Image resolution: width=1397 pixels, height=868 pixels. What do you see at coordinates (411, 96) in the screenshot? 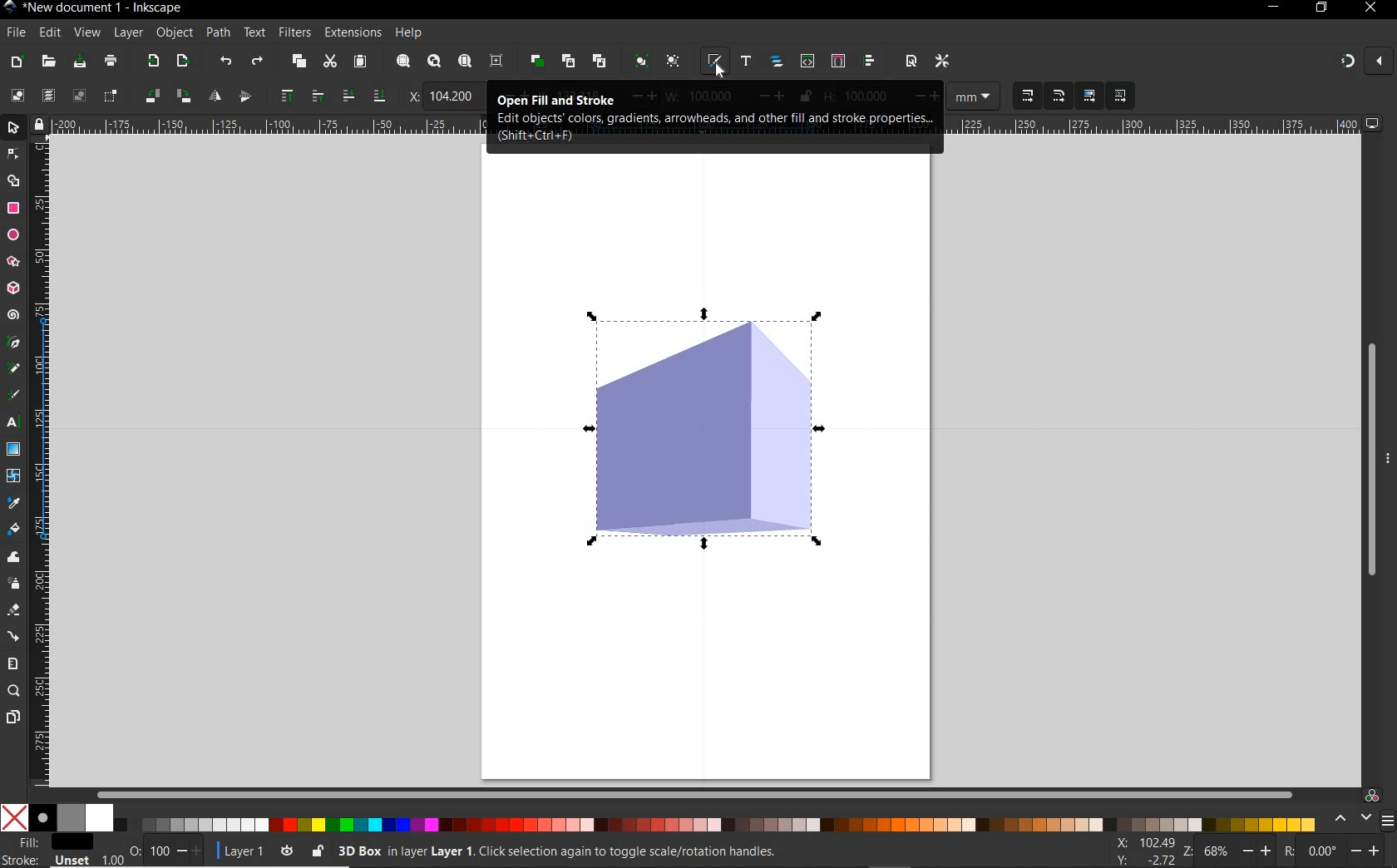
I see `HORIZONTAL COORDINATE SELECTION` at bounding box center [411, 96].